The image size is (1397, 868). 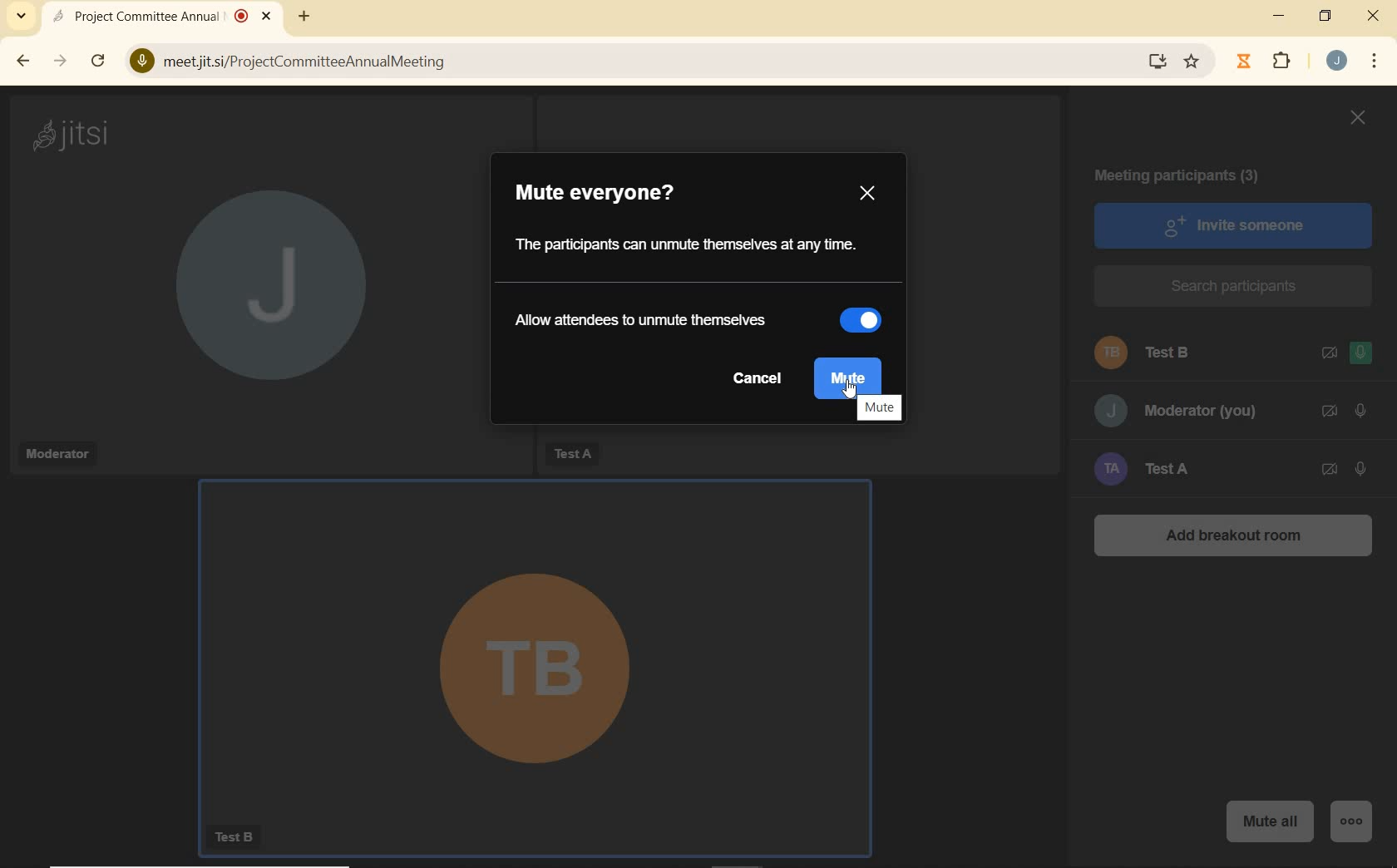 What do you see at coordinates (1232, 539) in the screenshot?
I see `ADD BREAKOUT ROOM` at bounding box center [1232, 539].